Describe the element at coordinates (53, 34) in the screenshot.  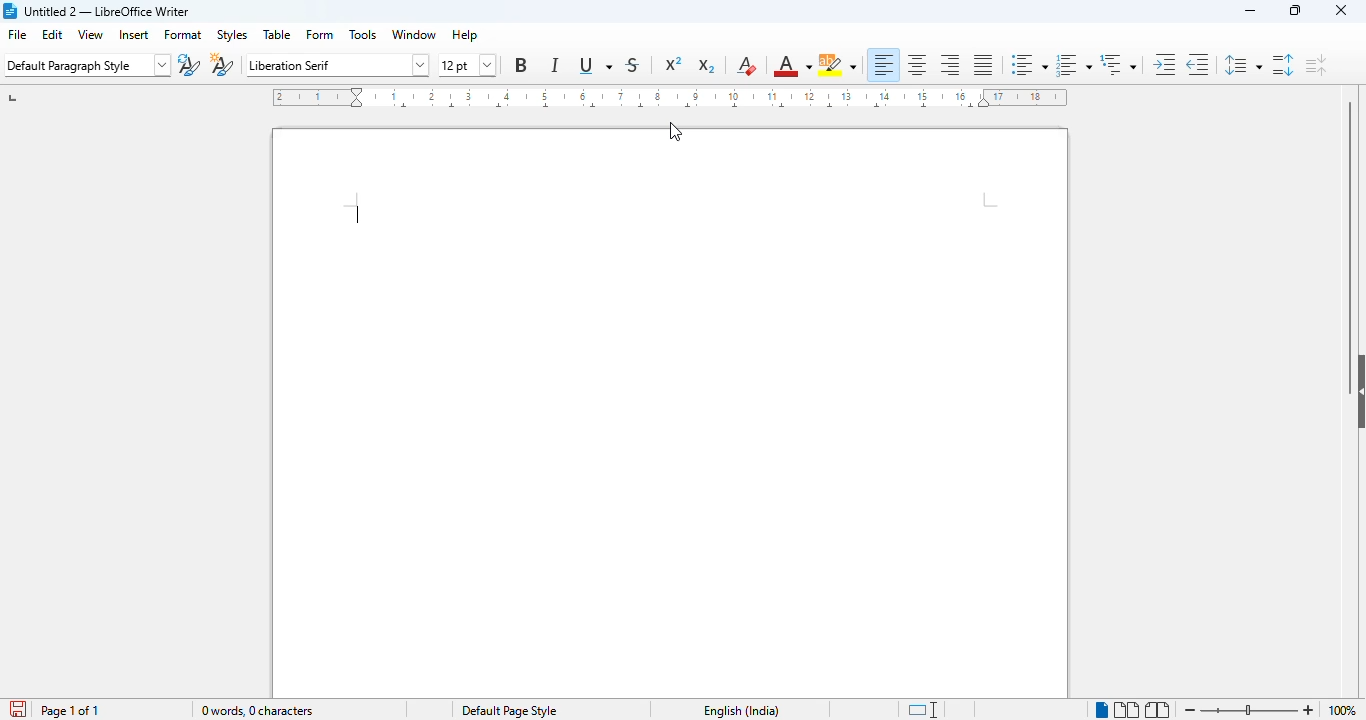
I see `edit` at that location.